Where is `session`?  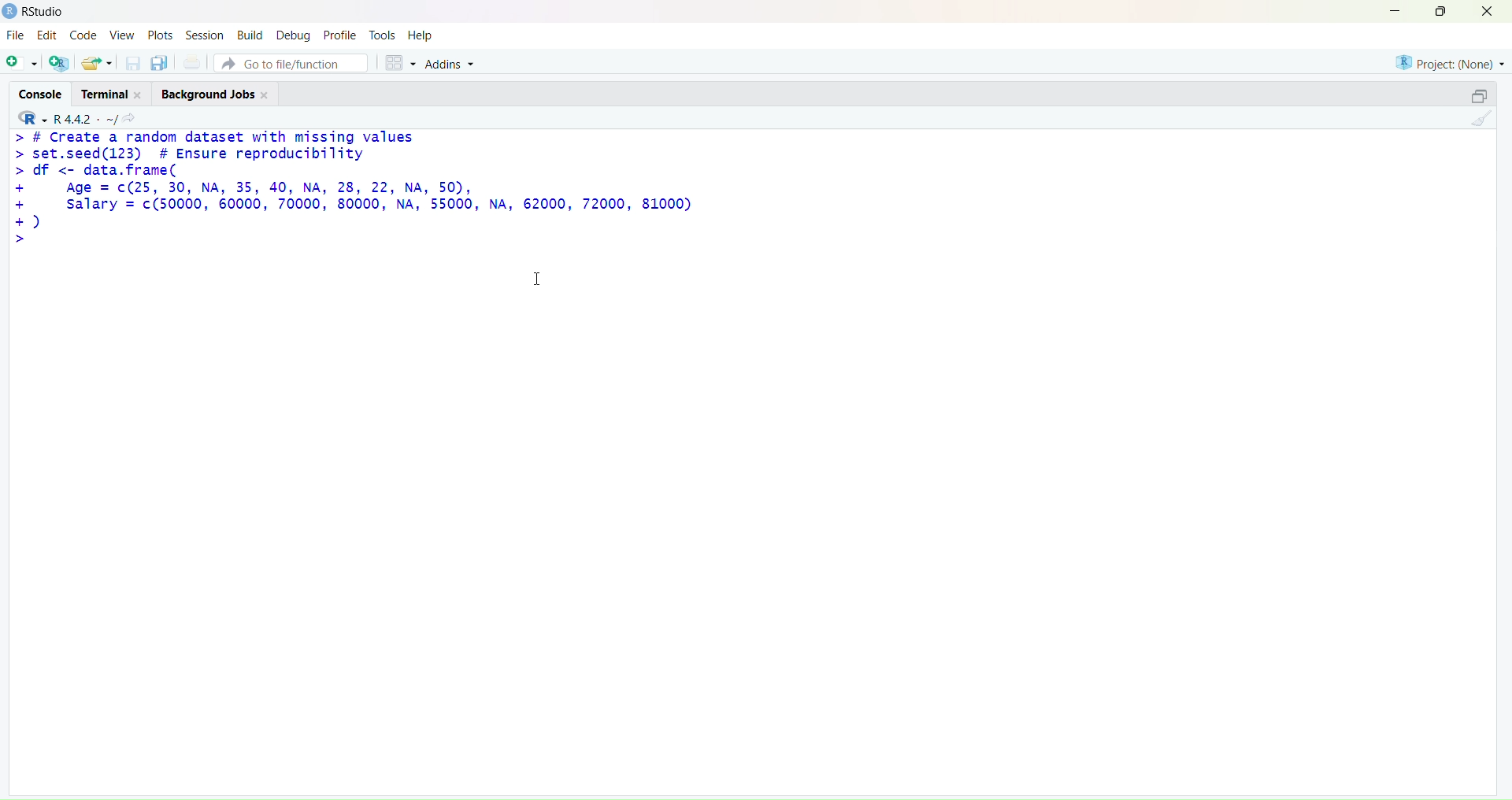
session is located at coordinates (206, 36).